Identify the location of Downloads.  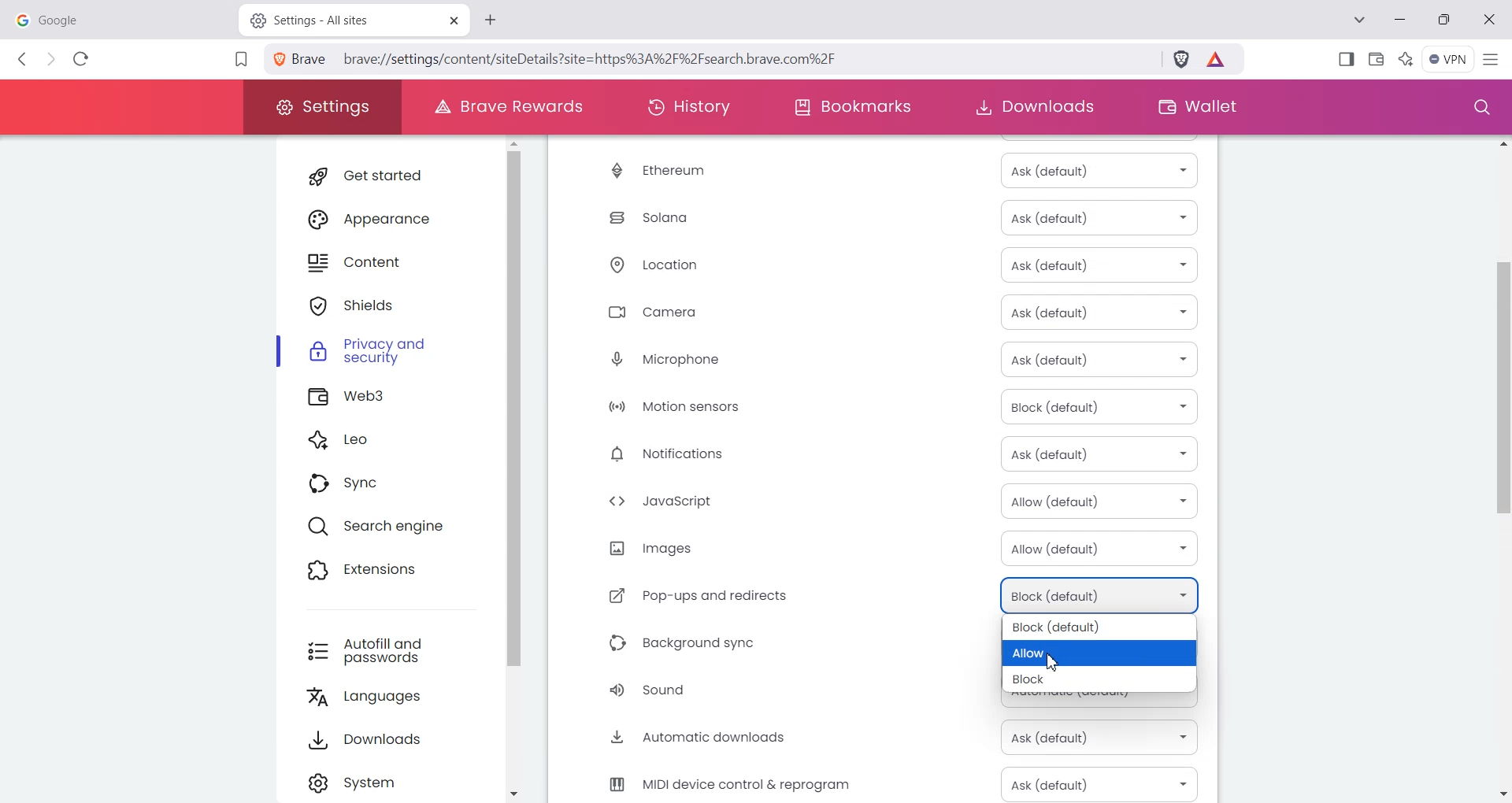
(396, 743).